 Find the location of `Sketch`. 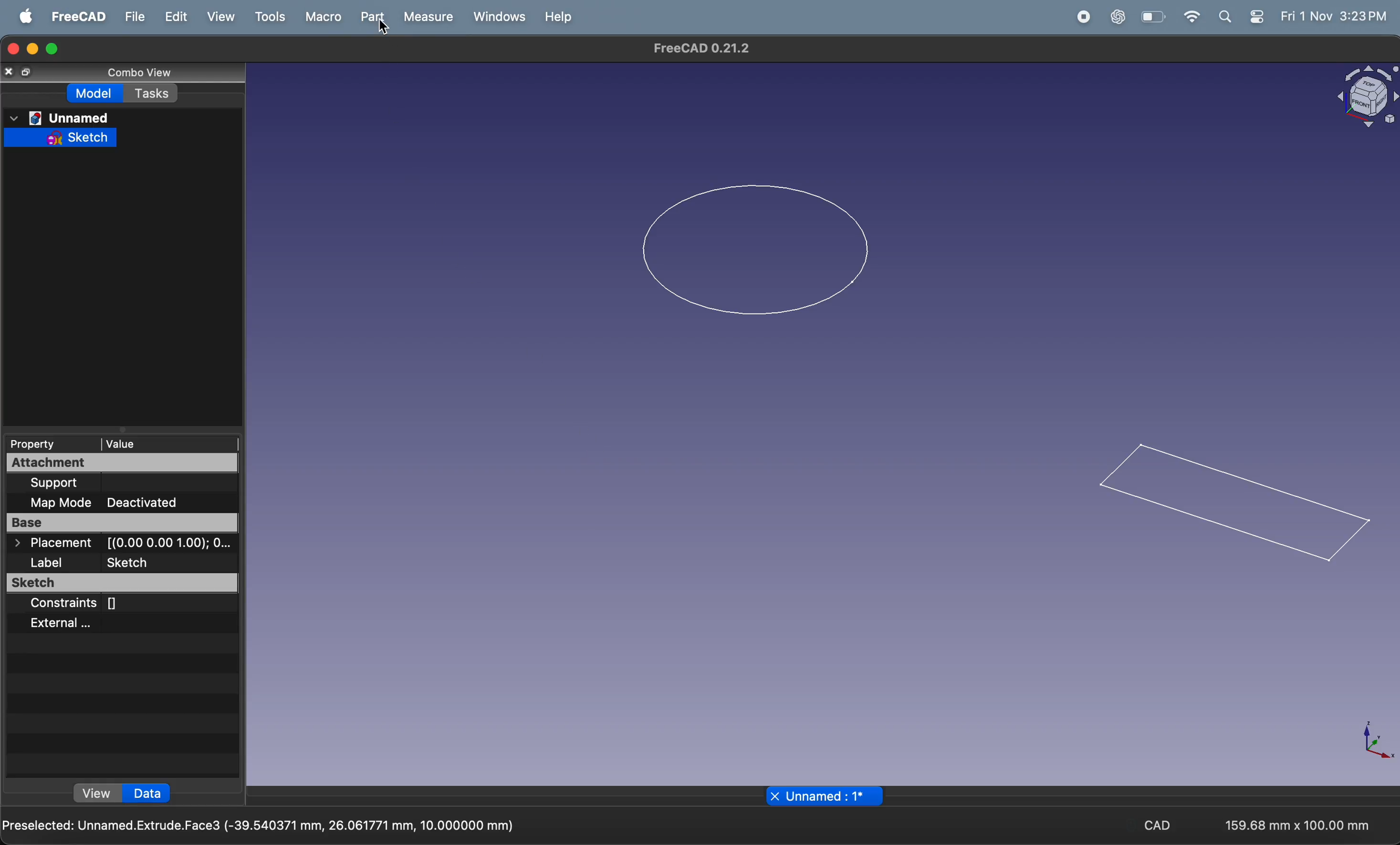

Sketch is located at coordinates (120, 583).